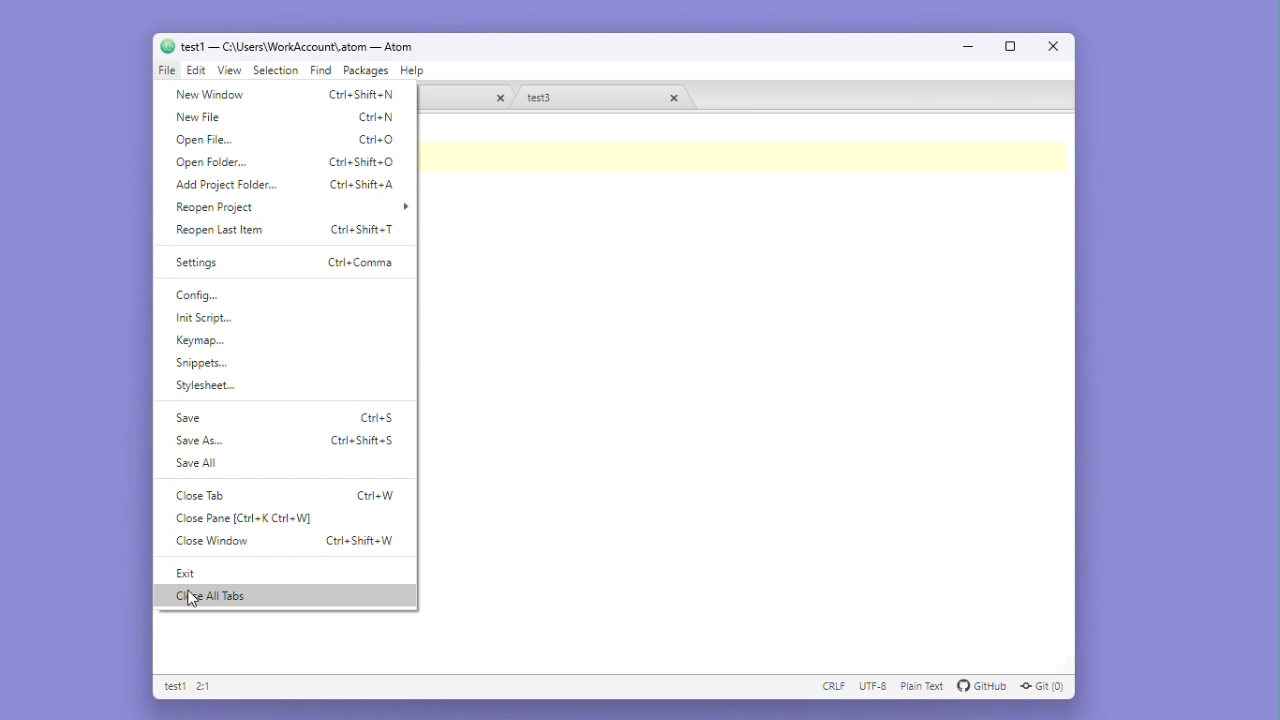 This screenshot has width=1280, height=720. What do you see at coordinates (405, 206) in the screenshot?
I see `more options` at bounding box center [405, 206].